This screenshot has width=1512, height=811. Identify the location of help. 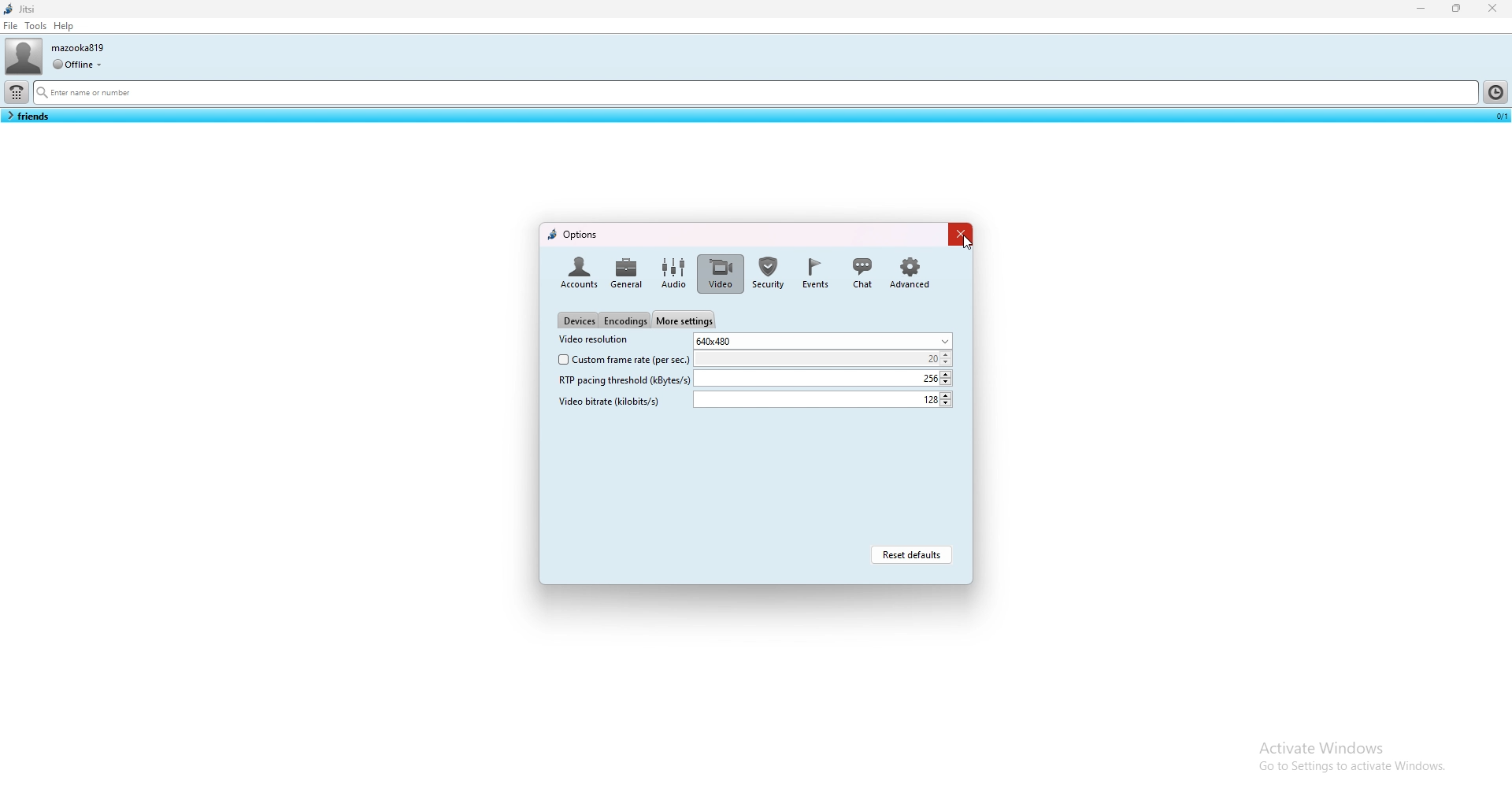
(65, 26).